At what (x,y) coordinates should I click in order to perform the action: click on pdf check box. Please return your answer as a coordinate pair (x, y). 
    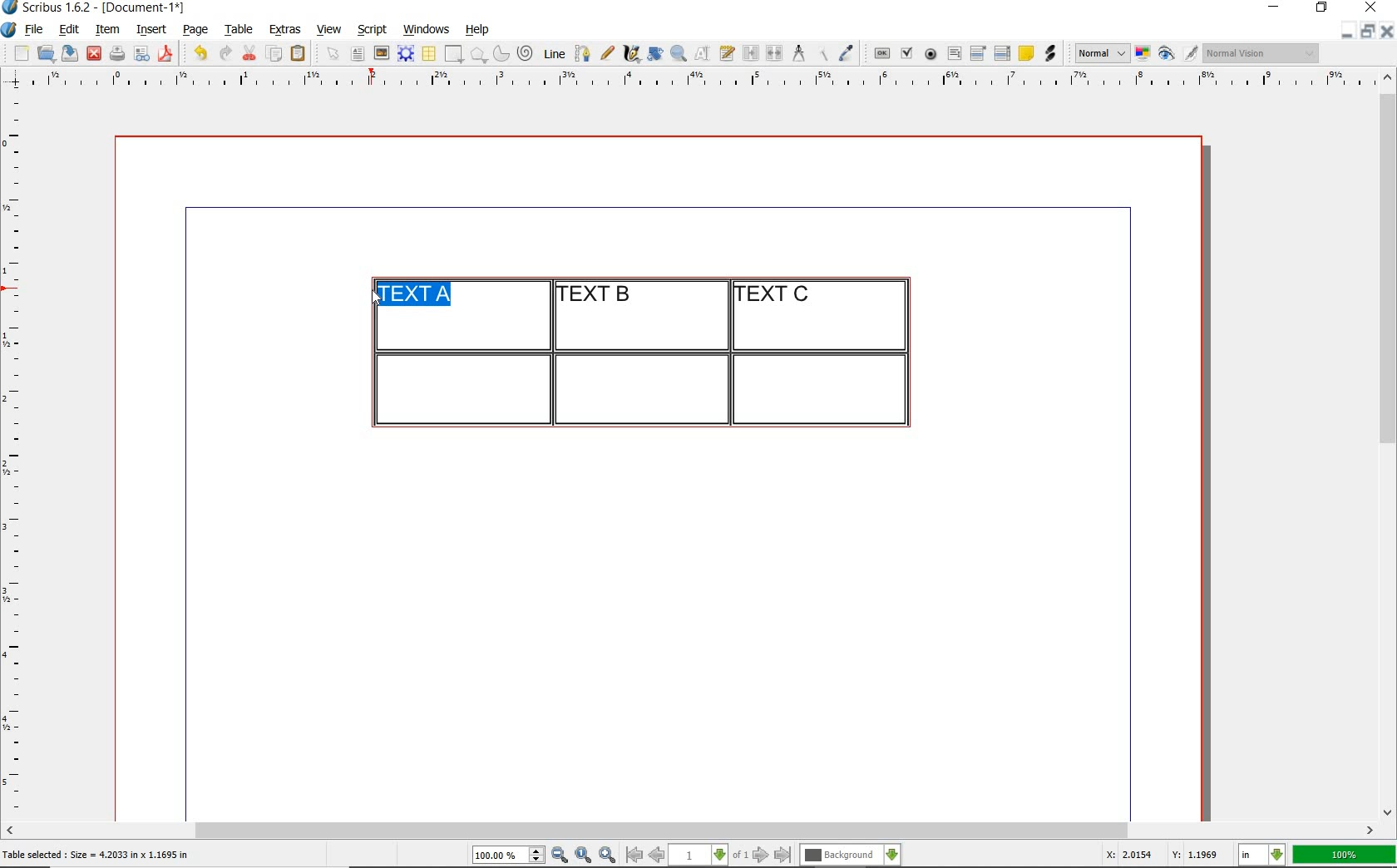
    Looking at the image, I should click on (906, 54).